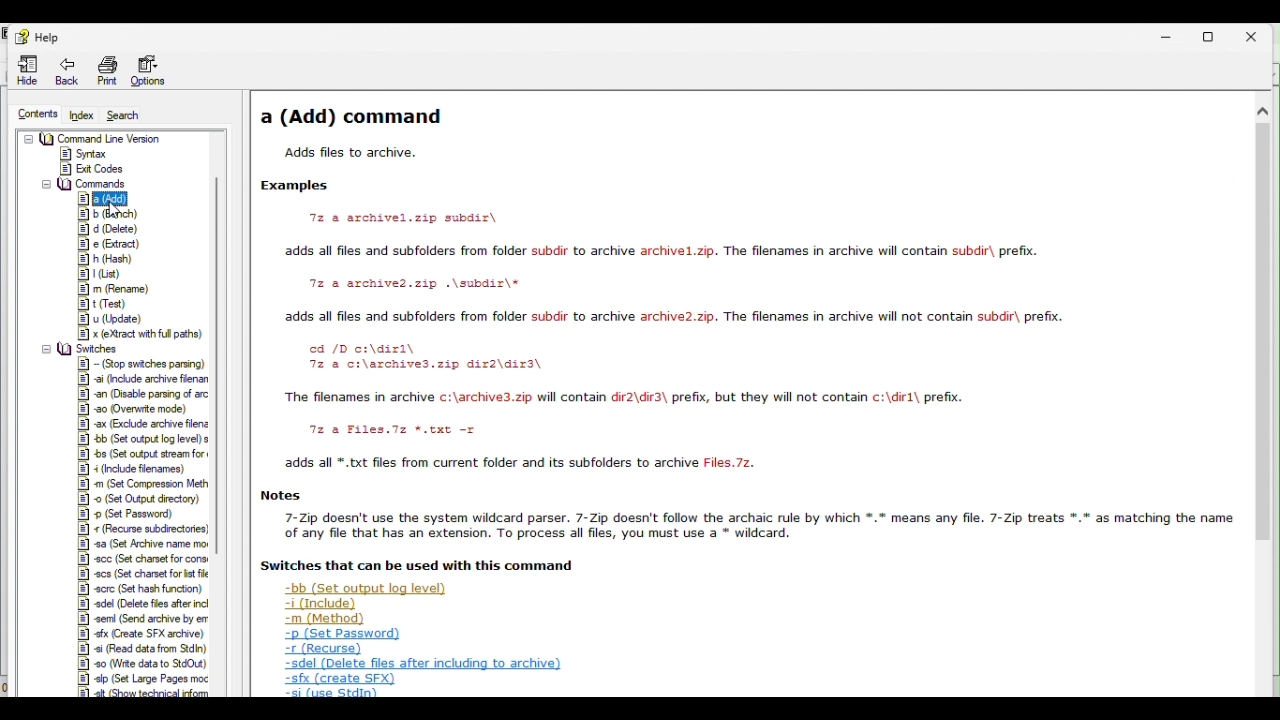  I want to click on -r, so click(324, 649).